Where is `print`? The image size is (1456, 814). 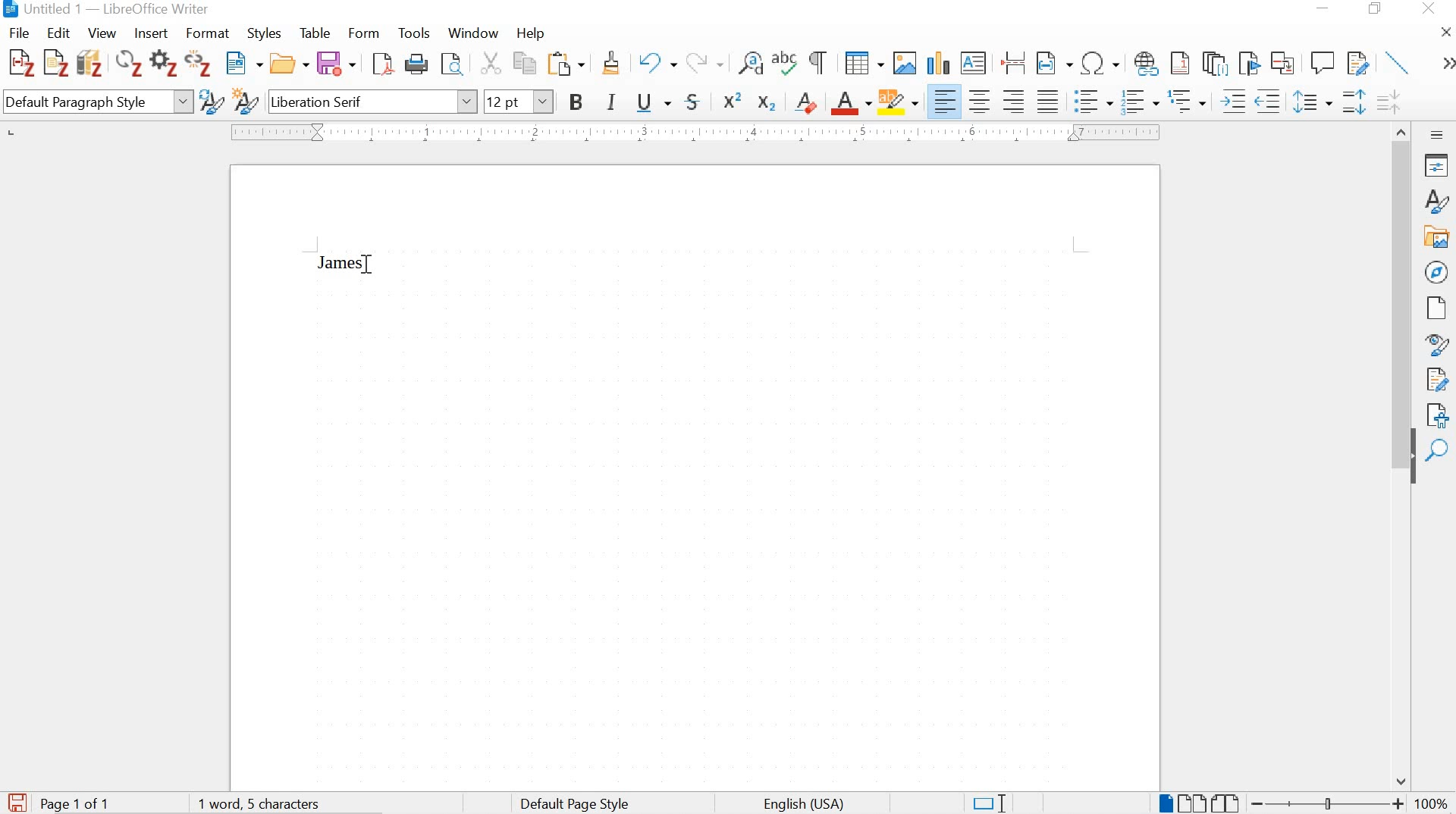 print is located at coordinates (418, 64).